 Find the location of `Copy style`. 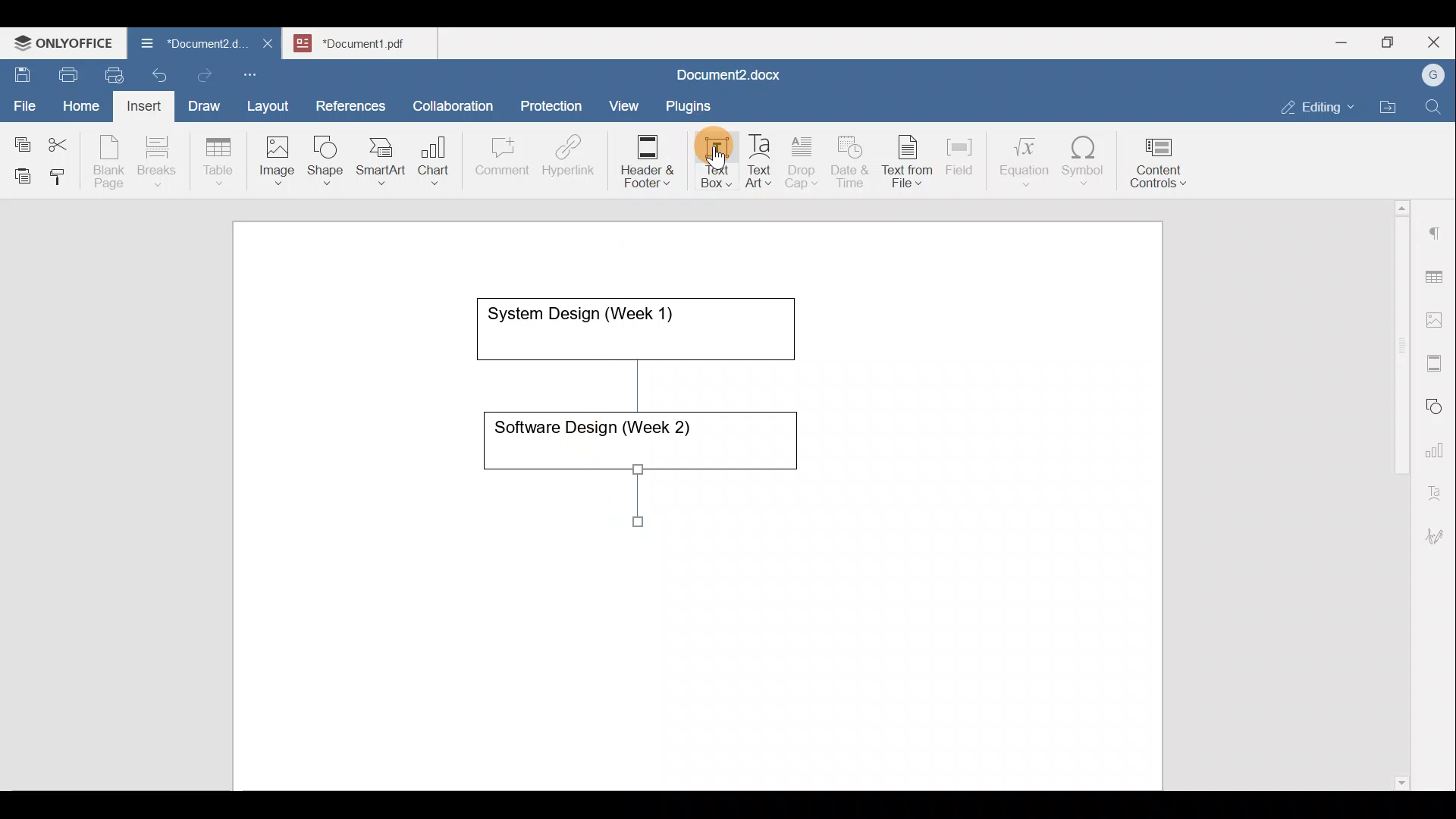

Copy style is located at coordinates (63, 173).